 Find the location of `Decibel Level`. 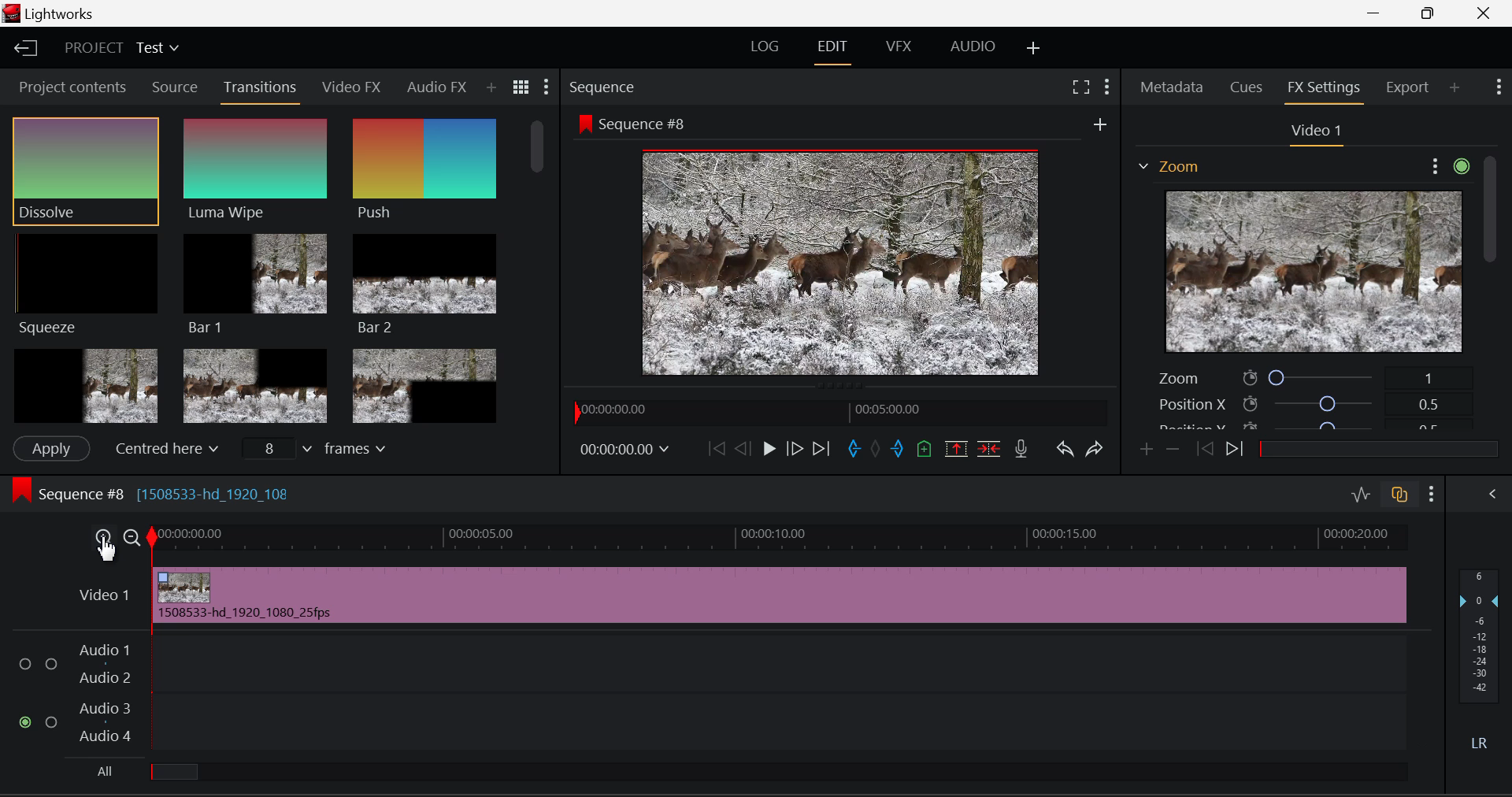

Decibel Level is located at coordinates (1480, 636).